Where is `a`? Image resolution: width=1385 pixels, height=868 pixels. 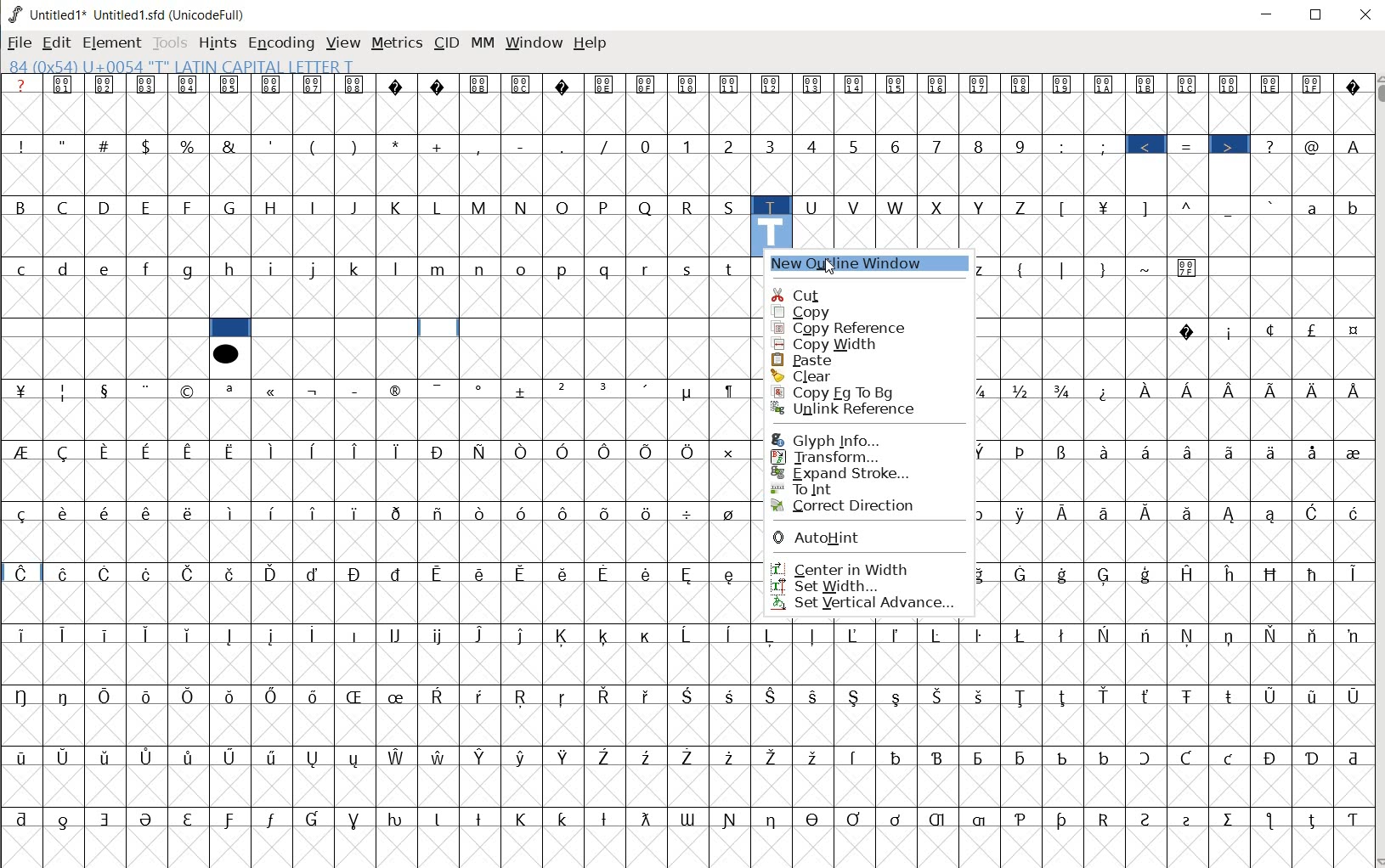 a is located at coordinates (1314, 206).